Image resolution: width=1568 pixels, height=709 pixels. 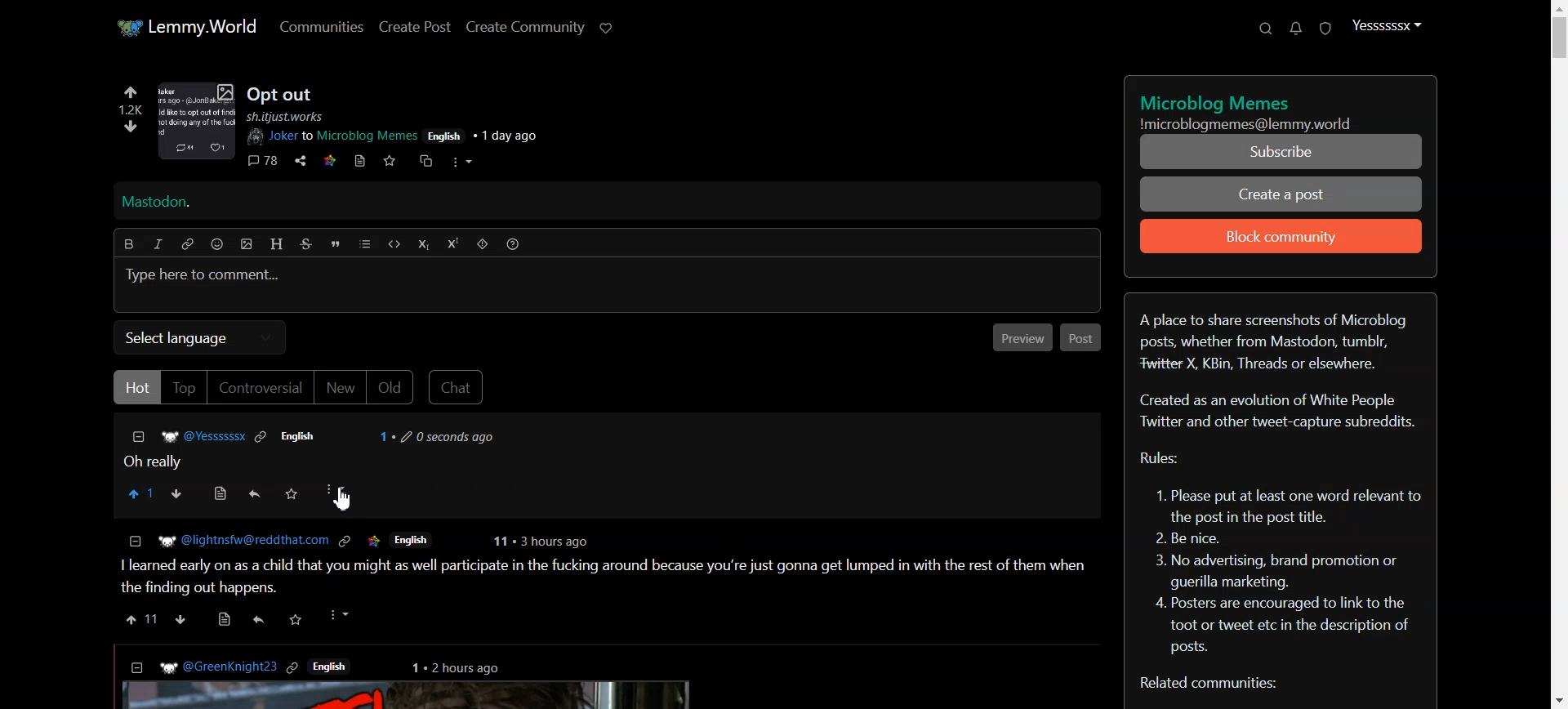 I want to click on 1.2k, so click(x=131, y=109).